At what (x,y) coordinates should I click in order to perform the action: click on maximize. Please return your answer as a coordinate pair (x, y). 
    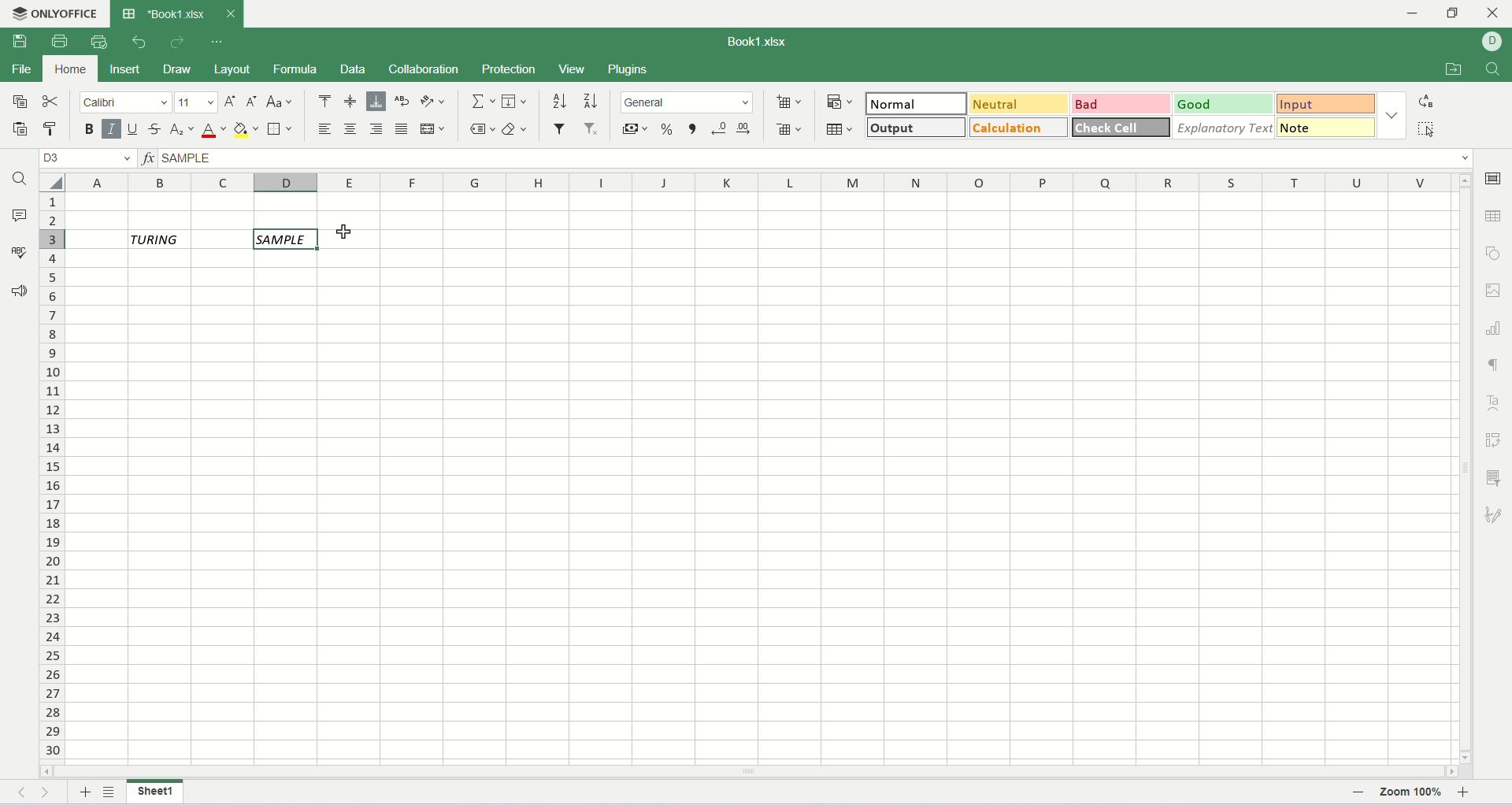
    Looking at the image, I should click on (1457, 15).